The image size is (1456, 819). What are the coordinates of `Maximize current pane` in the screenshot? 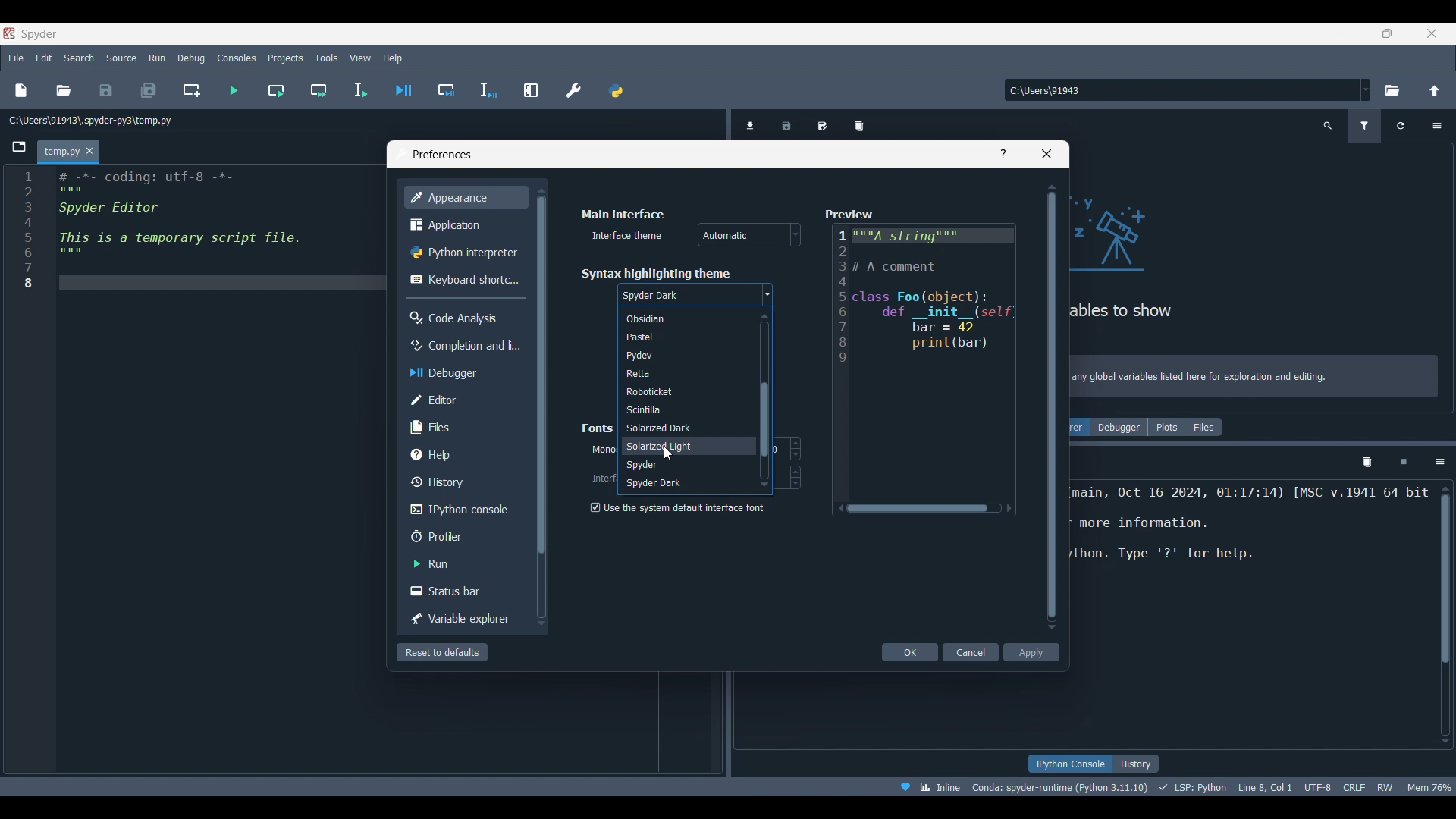 It's located at (531, 90).